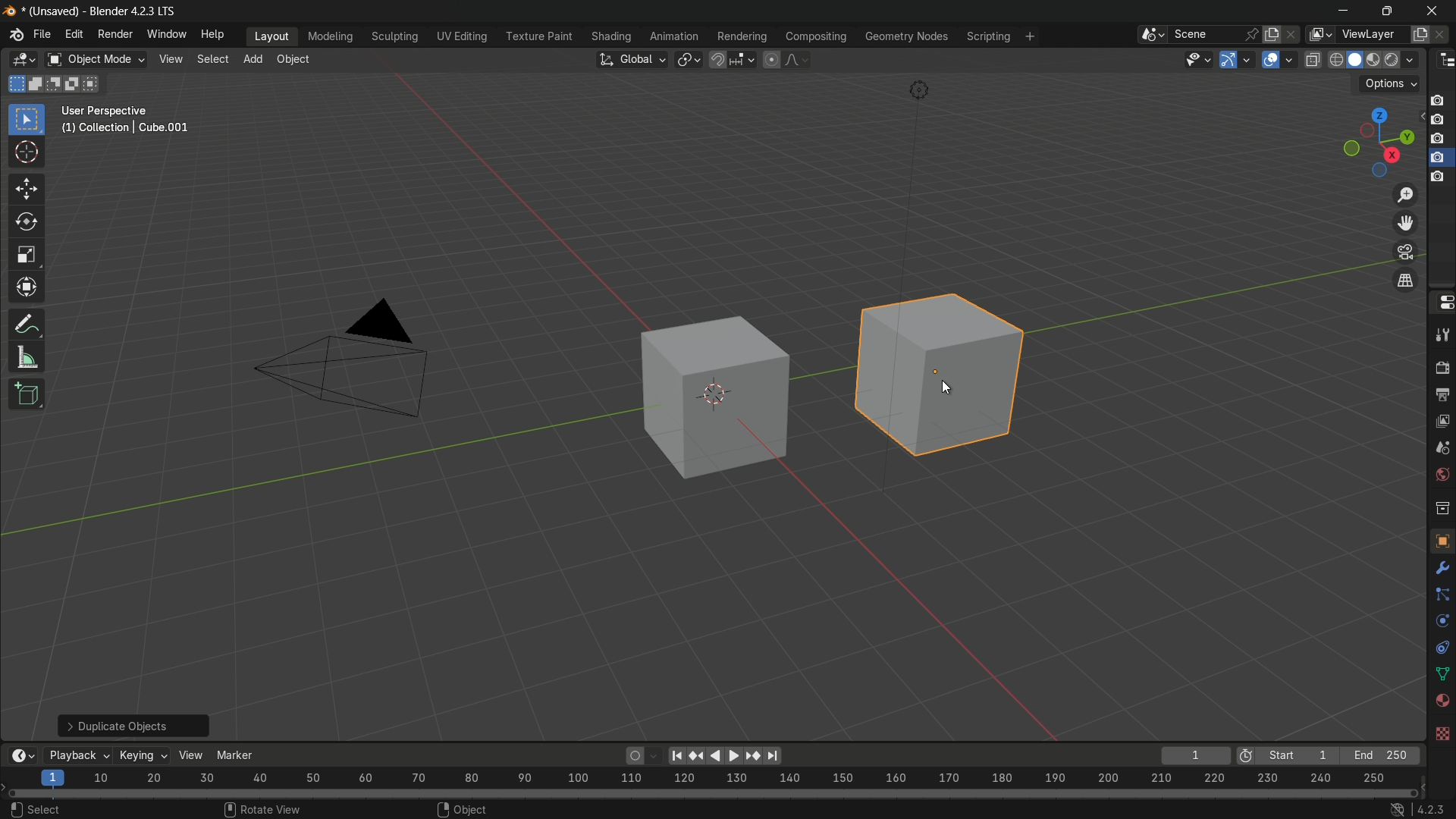 The height and width of the screenshot is (819, 1456). Describe the element at coordinates (1381, 755) in the screenshot. I see `end timeline` at that location.